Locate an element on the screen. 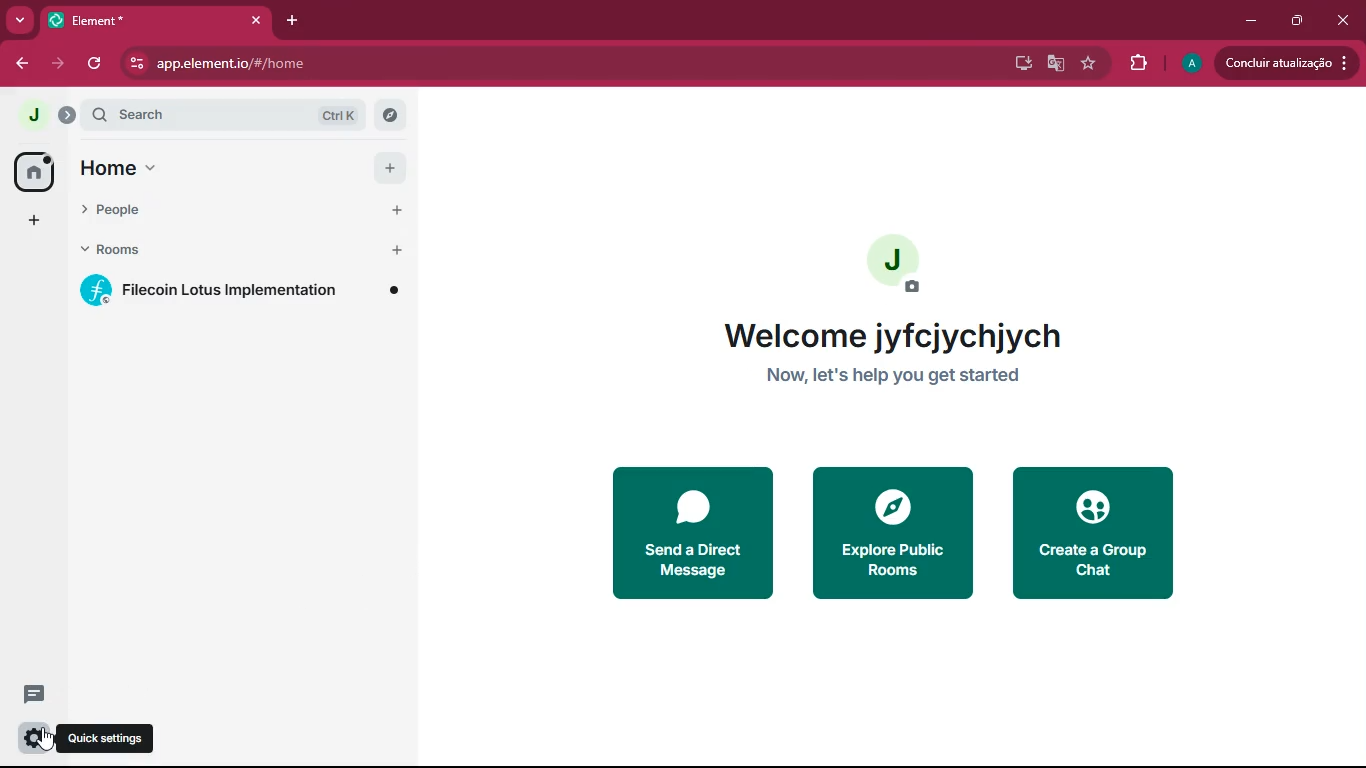 Image resolution: width=1366 pixels, height=768 pixels. desktop is located at coordinates (1015, 63).